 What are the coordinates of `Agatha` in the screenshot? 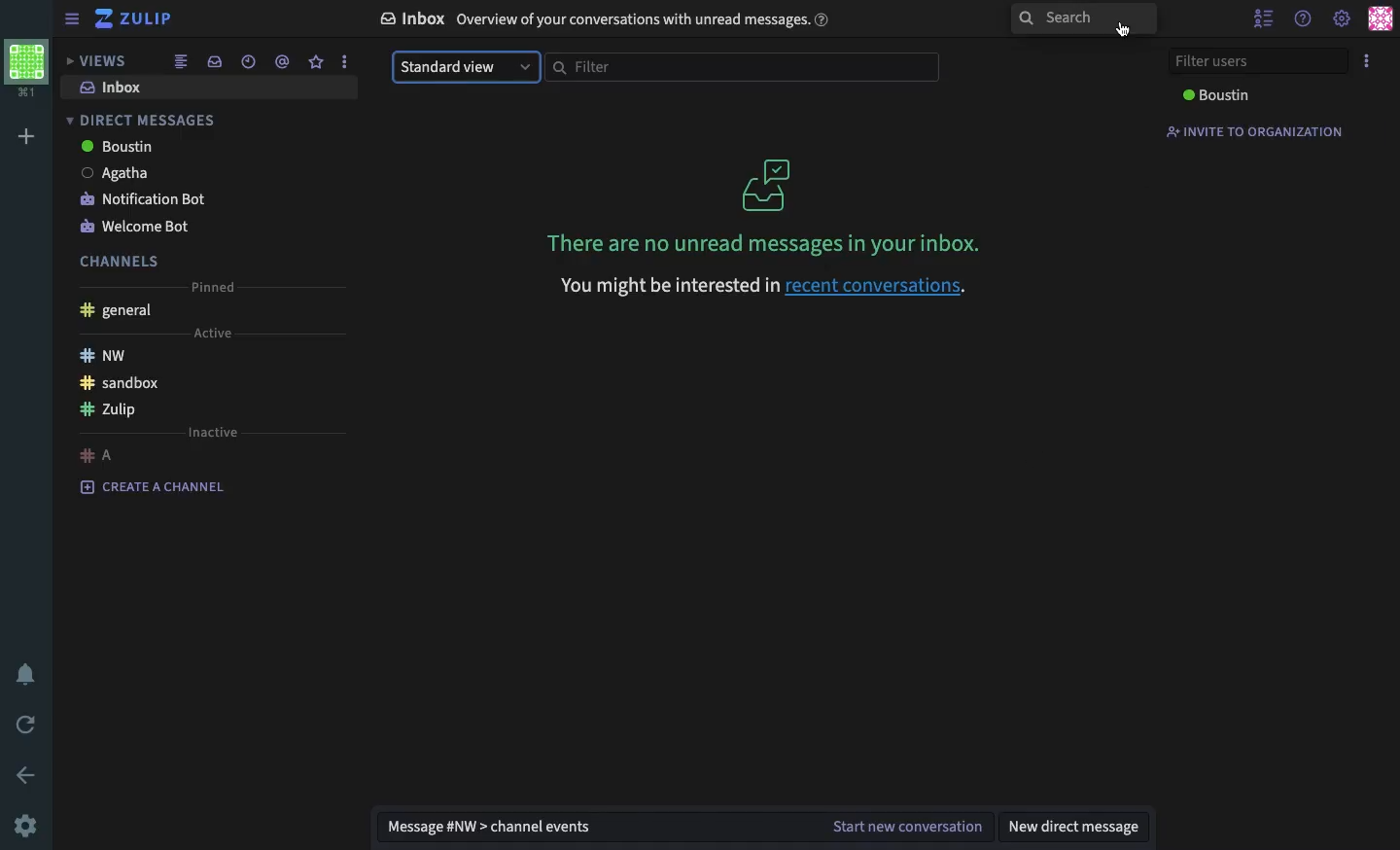 It's located at (116, 174).